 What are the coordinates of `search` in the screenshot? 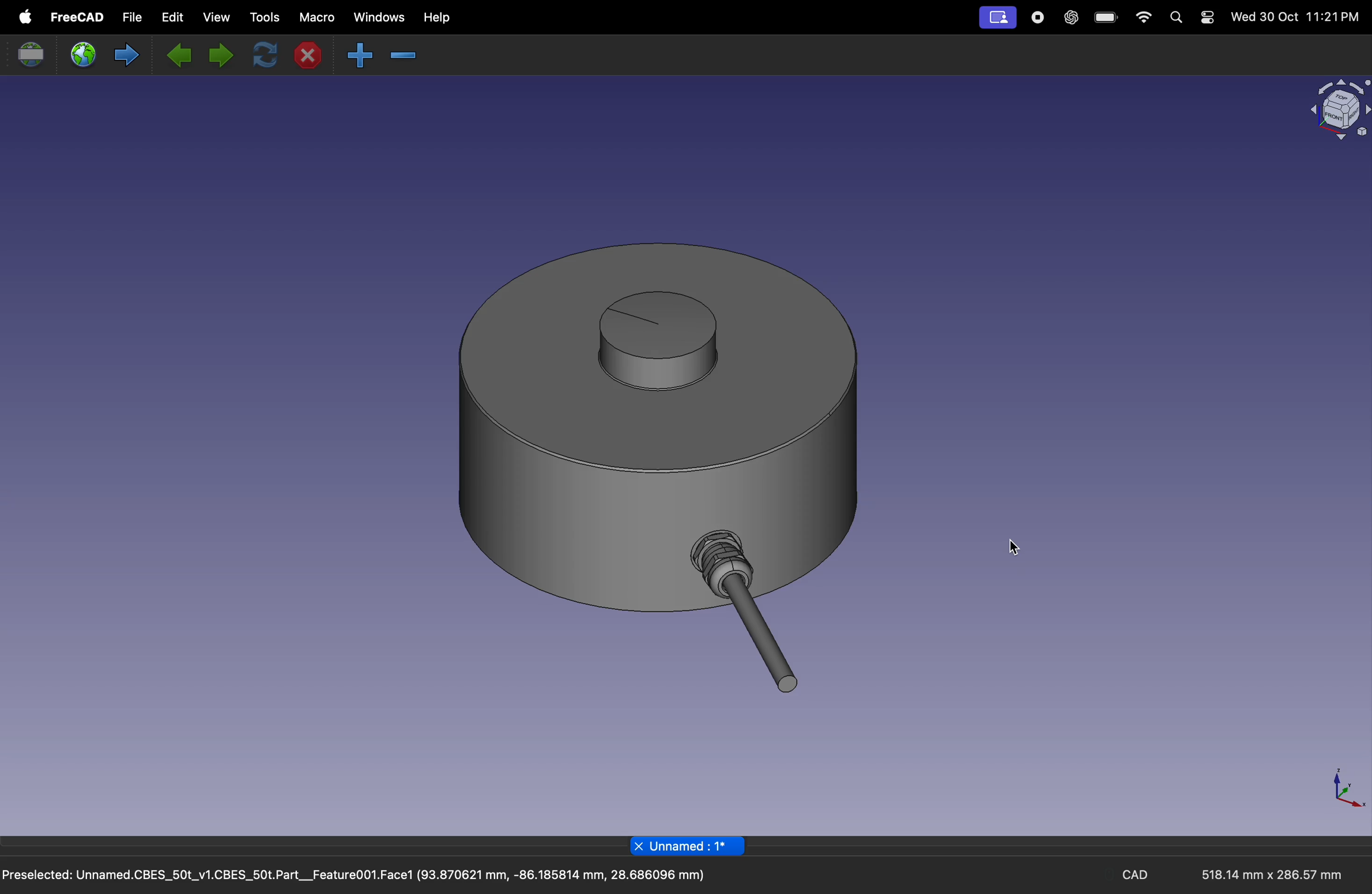 It's located at (1175, 18).